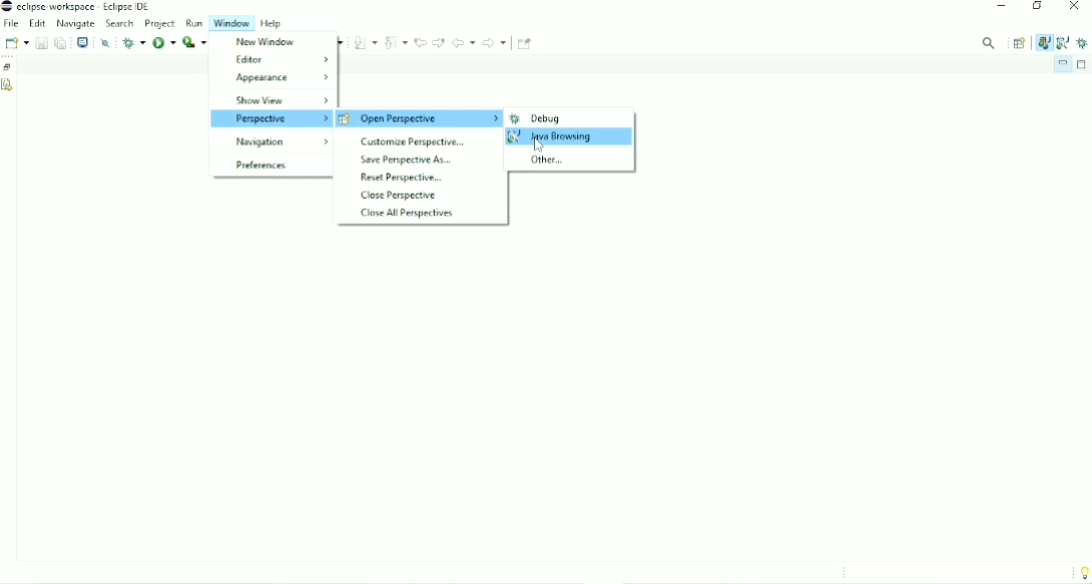  I want to click on Tip, so click(1080, 573).